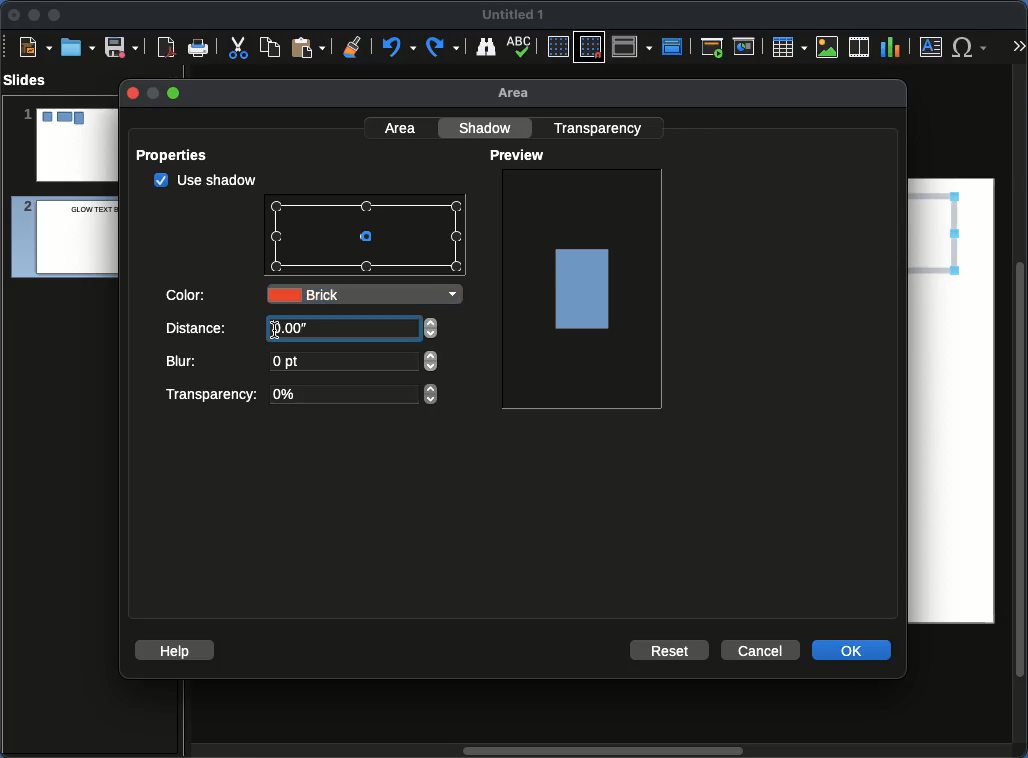 This screenshot has height=758, width=1028. What do you see at coordinates (592, 46) in the screenshot?
I see `Snap to grid` at bounding box center [592, 46].